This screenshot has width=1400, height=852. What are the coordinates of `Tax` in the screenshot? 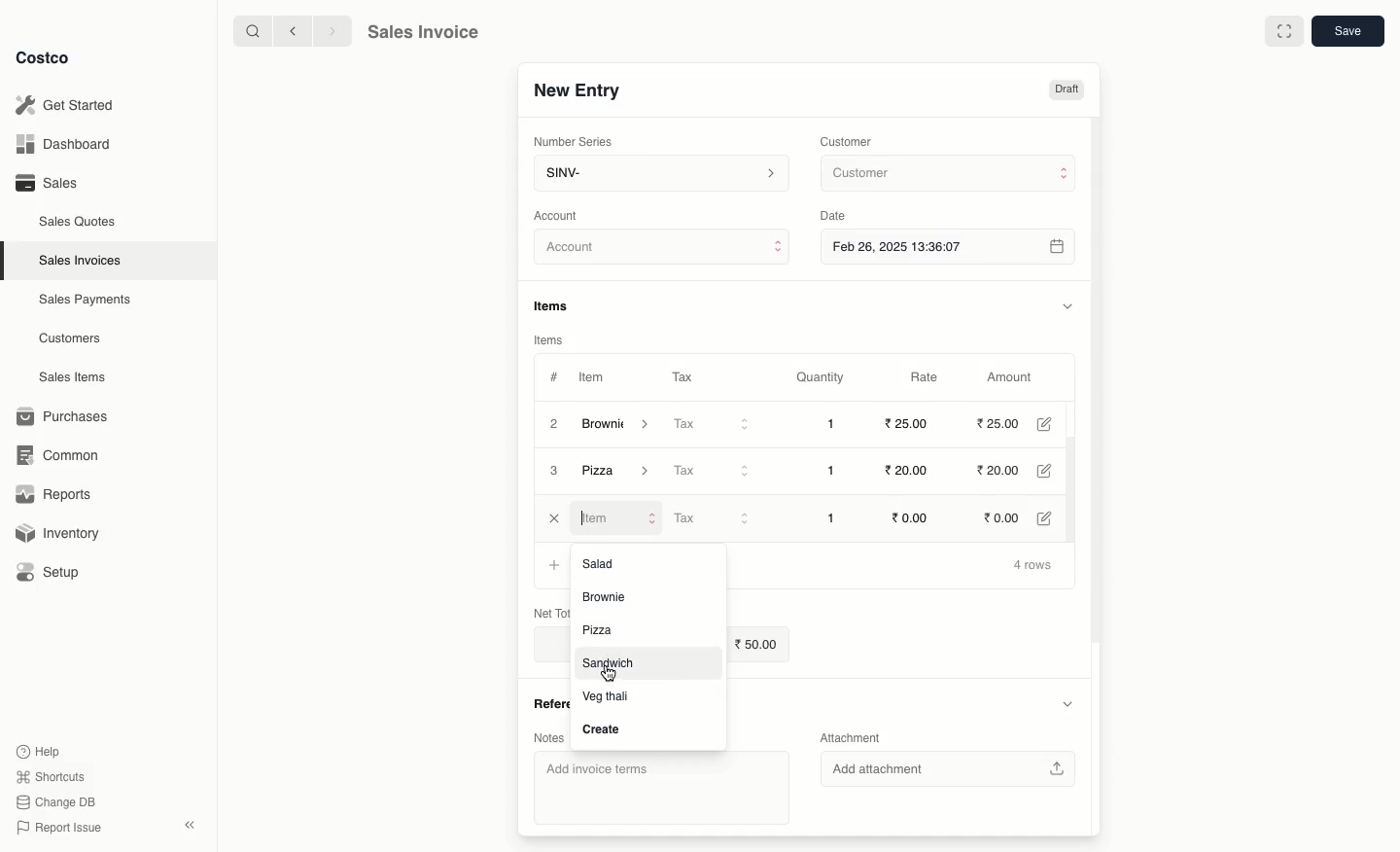 It's located at (714, 425).